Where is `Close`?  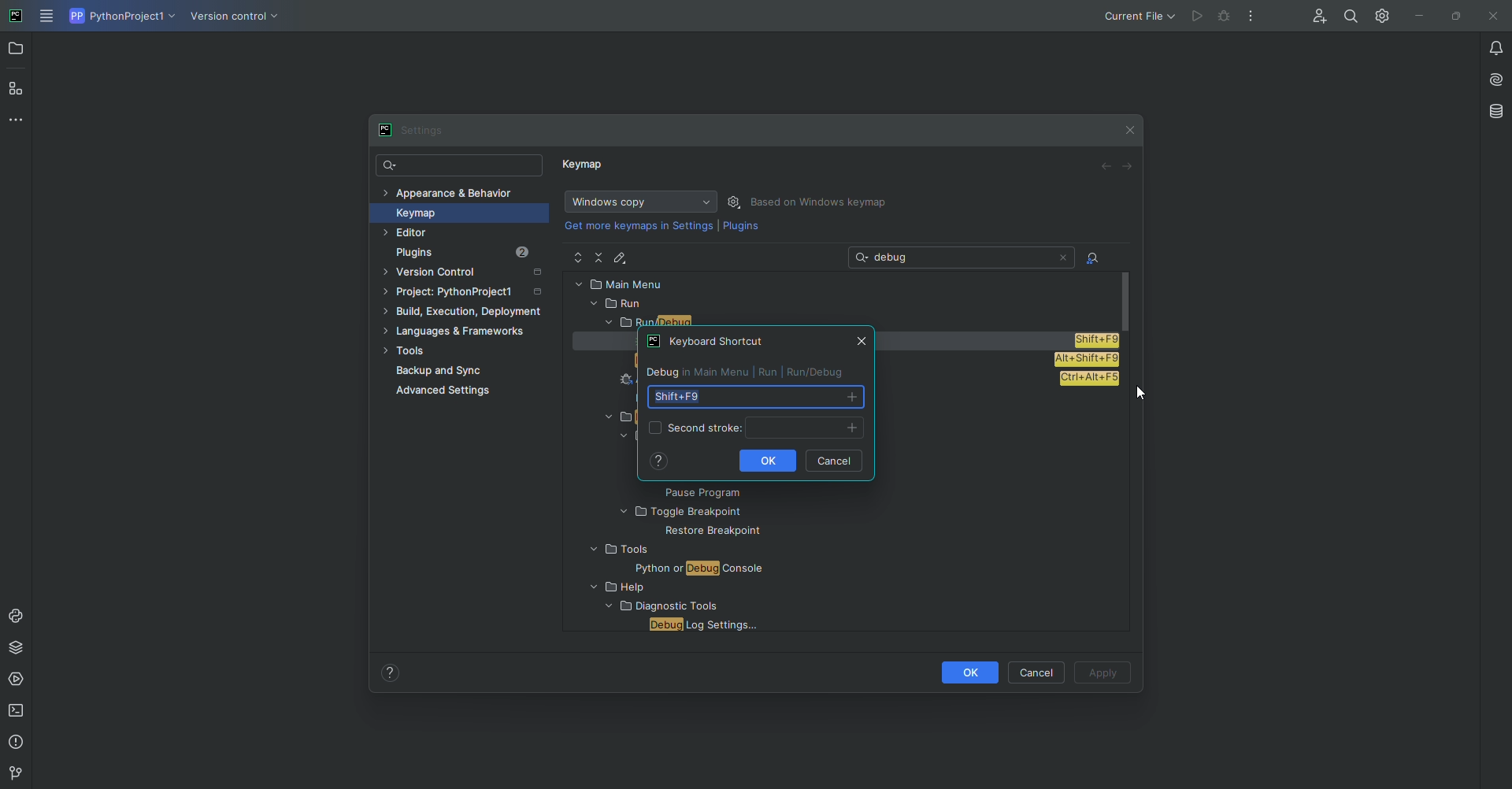
Close is located at coordinates (1131, 127).